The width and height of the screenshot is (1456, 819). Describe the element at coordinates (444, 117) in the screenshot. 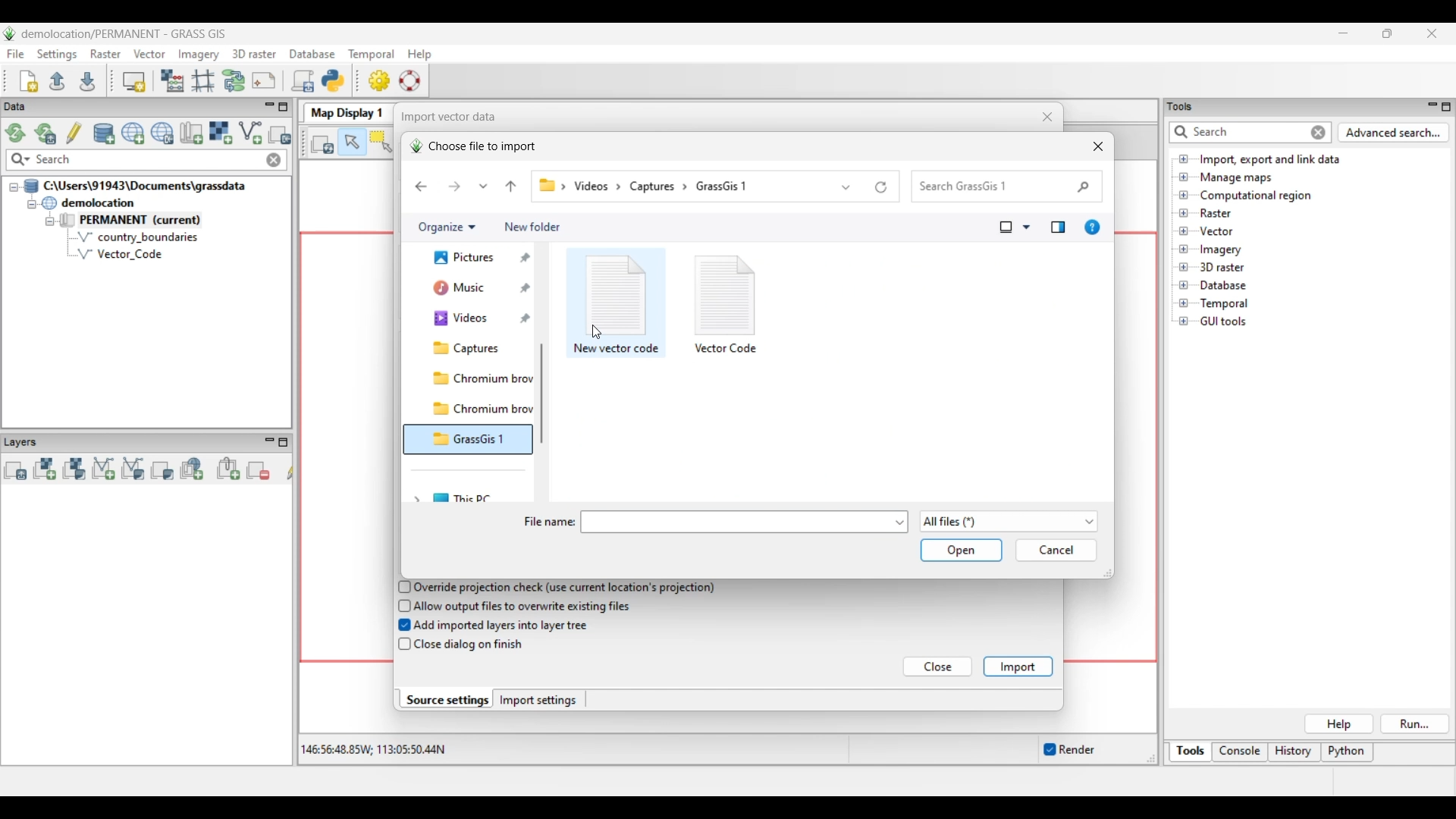

I see `| Import vector data` at that location.